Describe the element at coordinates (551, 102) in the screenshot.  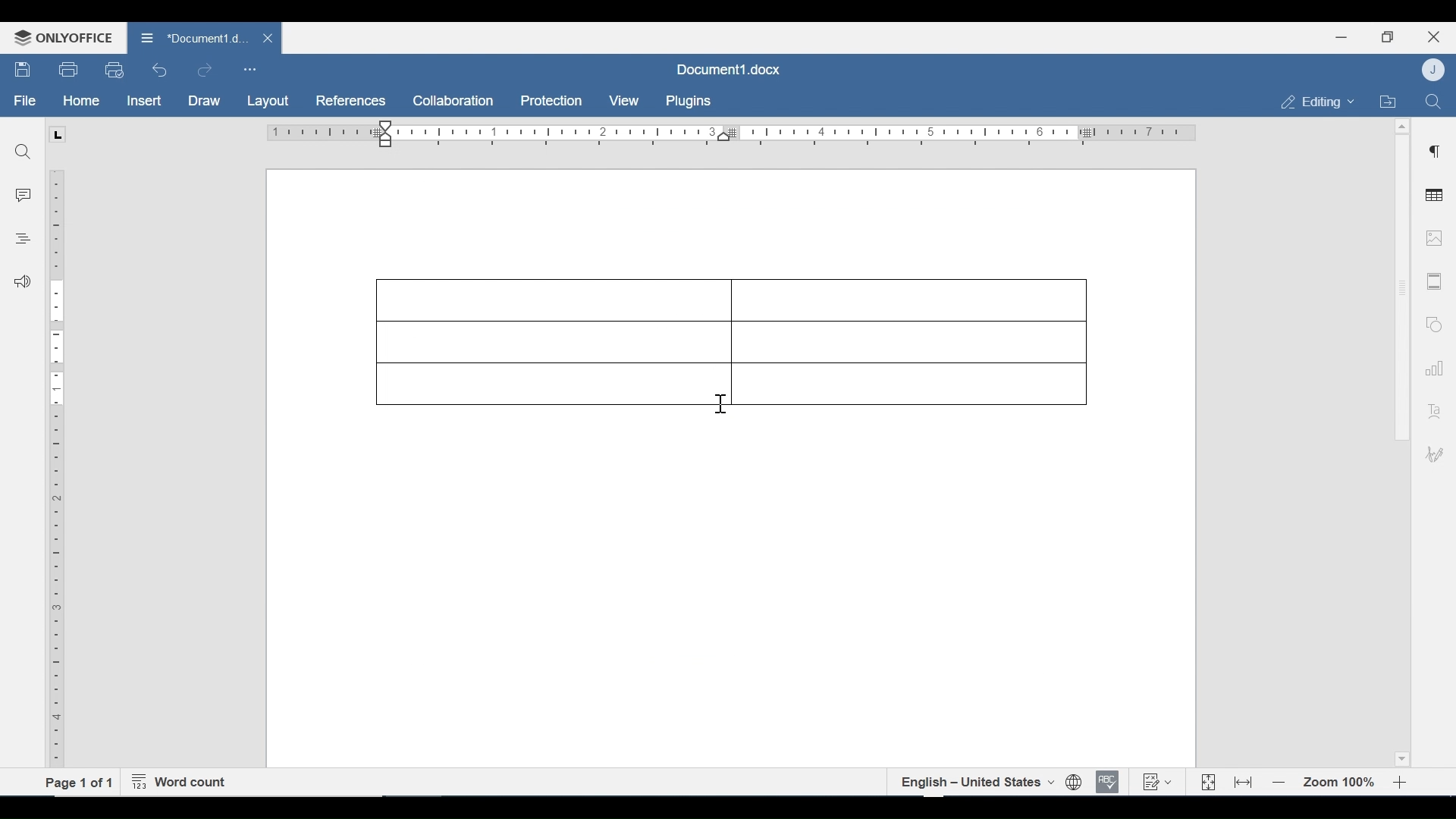
I see `Protection` at that location.